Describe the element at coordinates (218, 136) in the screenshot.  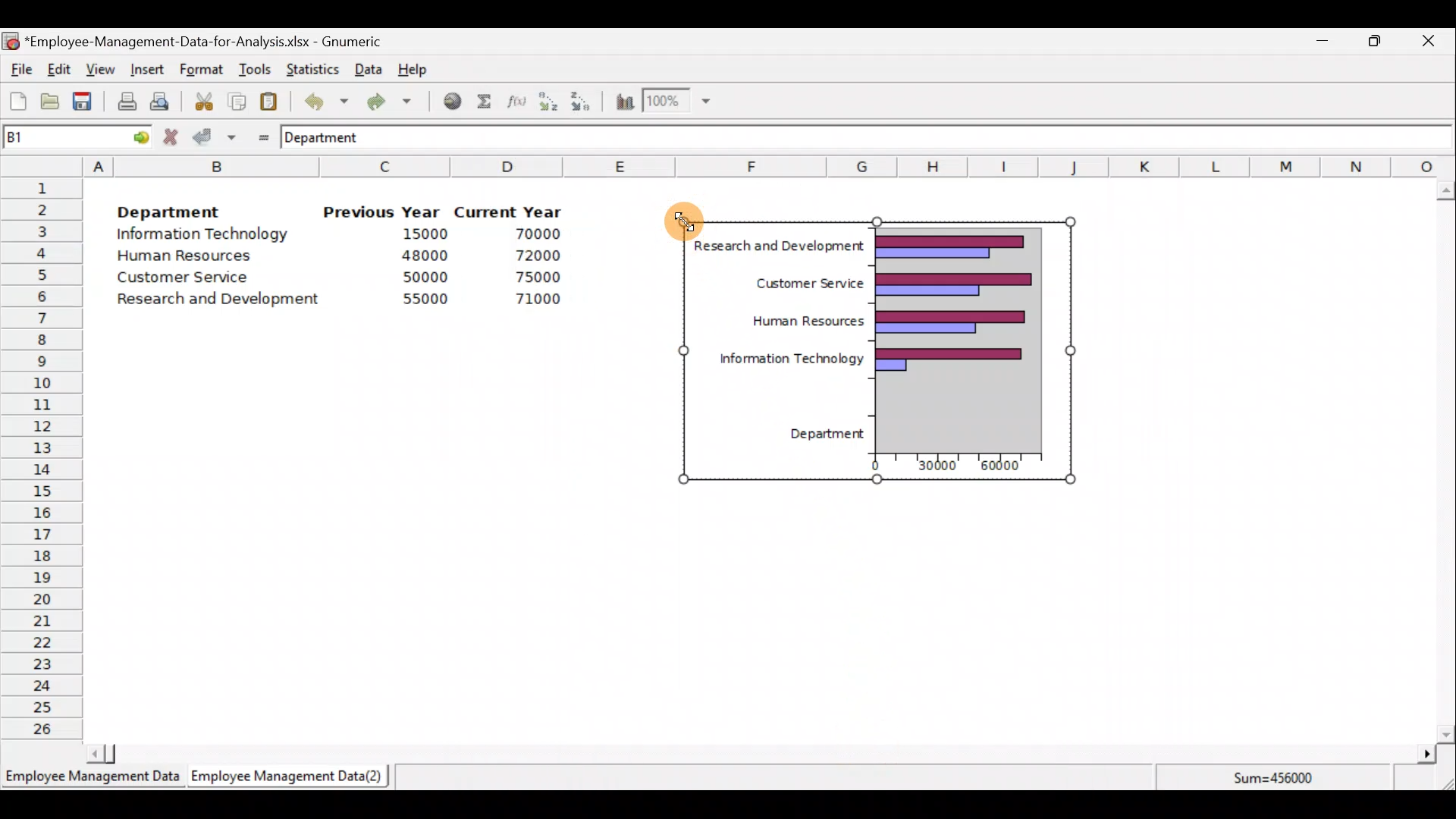
I see `Accept change` at that location.